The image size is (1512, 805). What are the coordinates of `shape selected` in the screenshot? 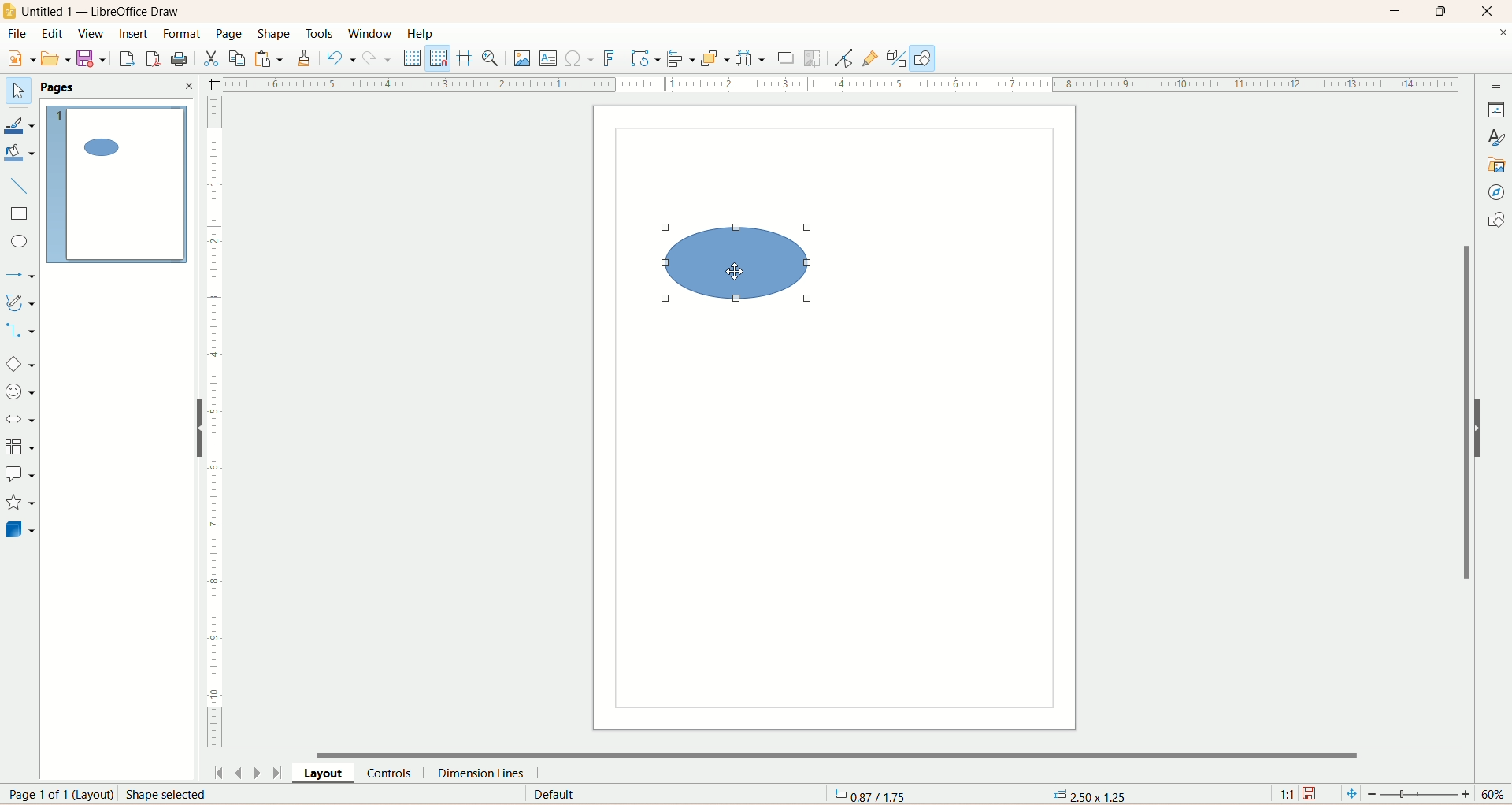 It's located at (738, 261).